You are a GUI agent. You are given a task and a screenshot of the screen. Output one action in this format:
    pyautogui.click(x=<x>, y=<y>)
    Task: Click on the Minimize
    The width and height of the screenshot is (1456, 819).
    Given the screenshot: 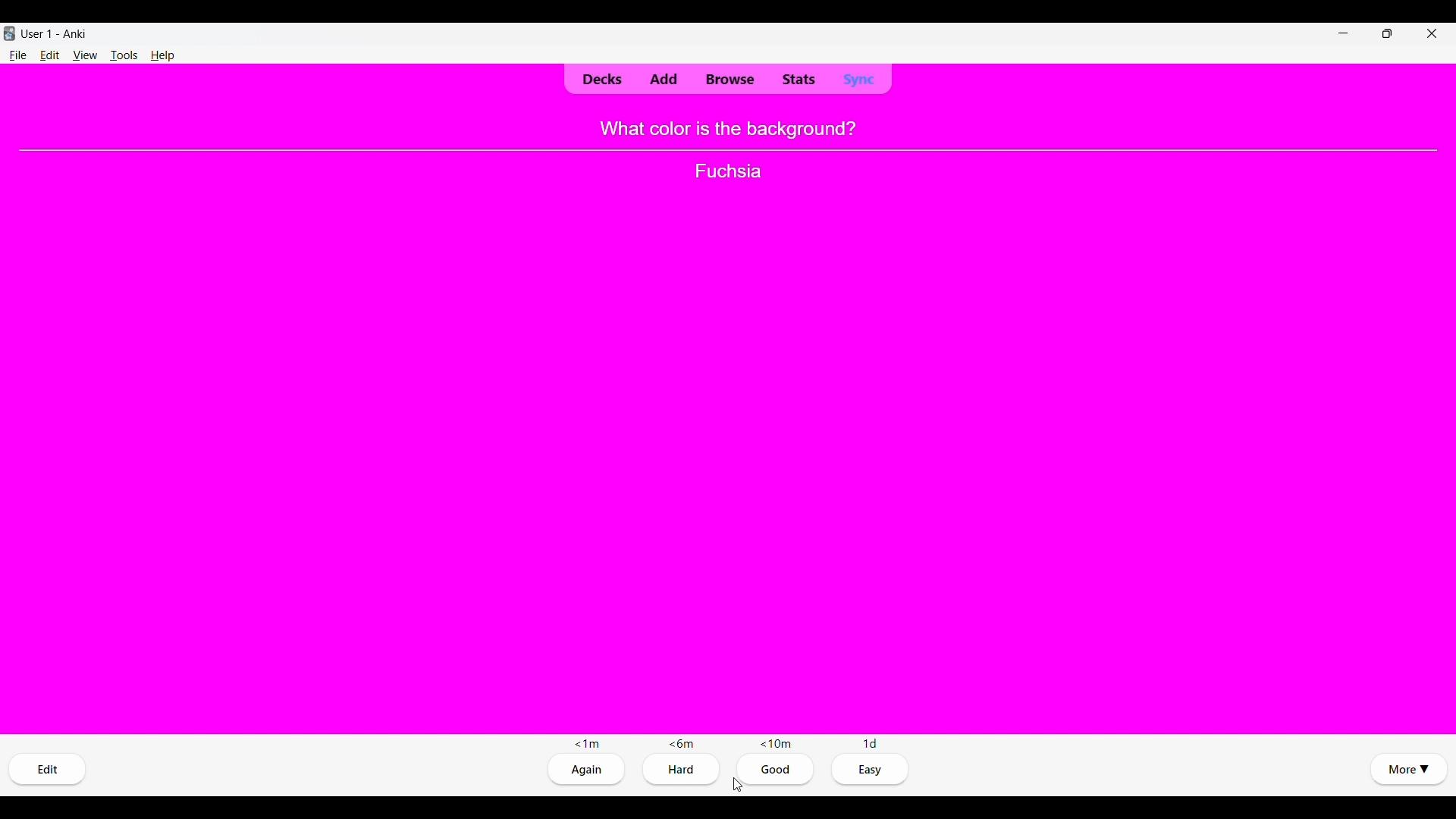 What is the action you would take?
    pyautogui.click(x=1343, y=33)
    